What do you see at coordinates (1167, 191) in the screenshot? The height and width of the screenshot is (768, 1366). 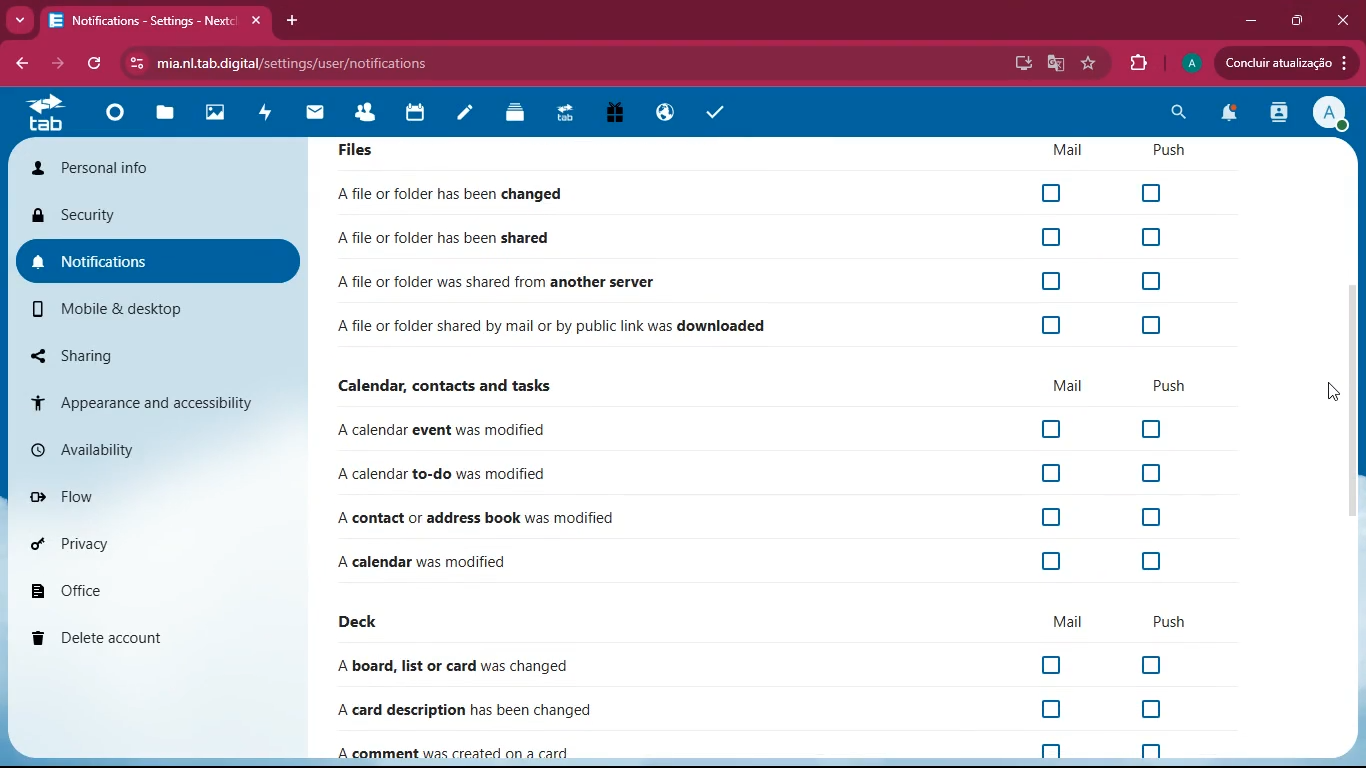 I see `Checkbox` at bounding box center [1167, 191].